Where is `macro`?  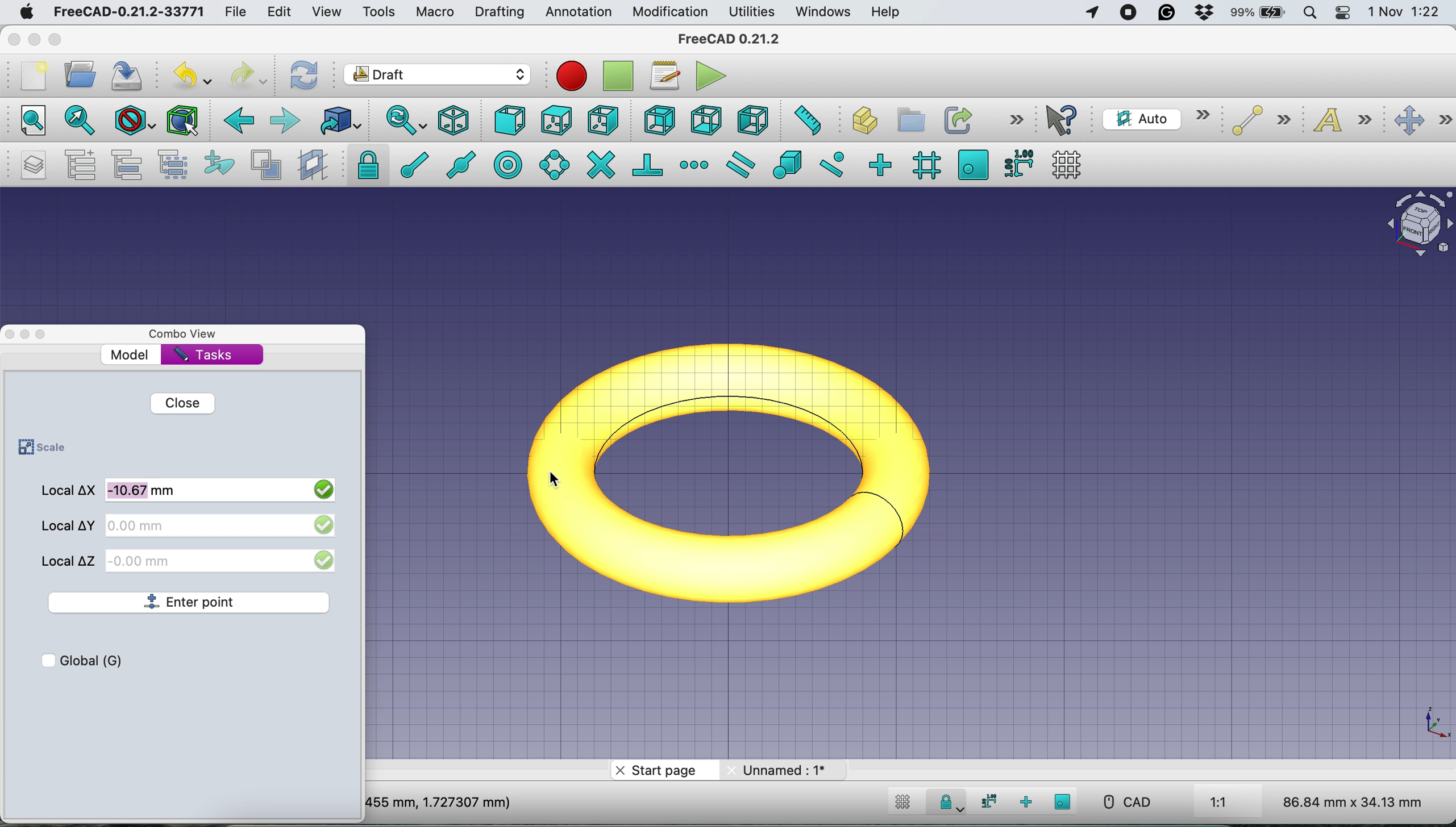
macro is located at coordinates (435, 14).